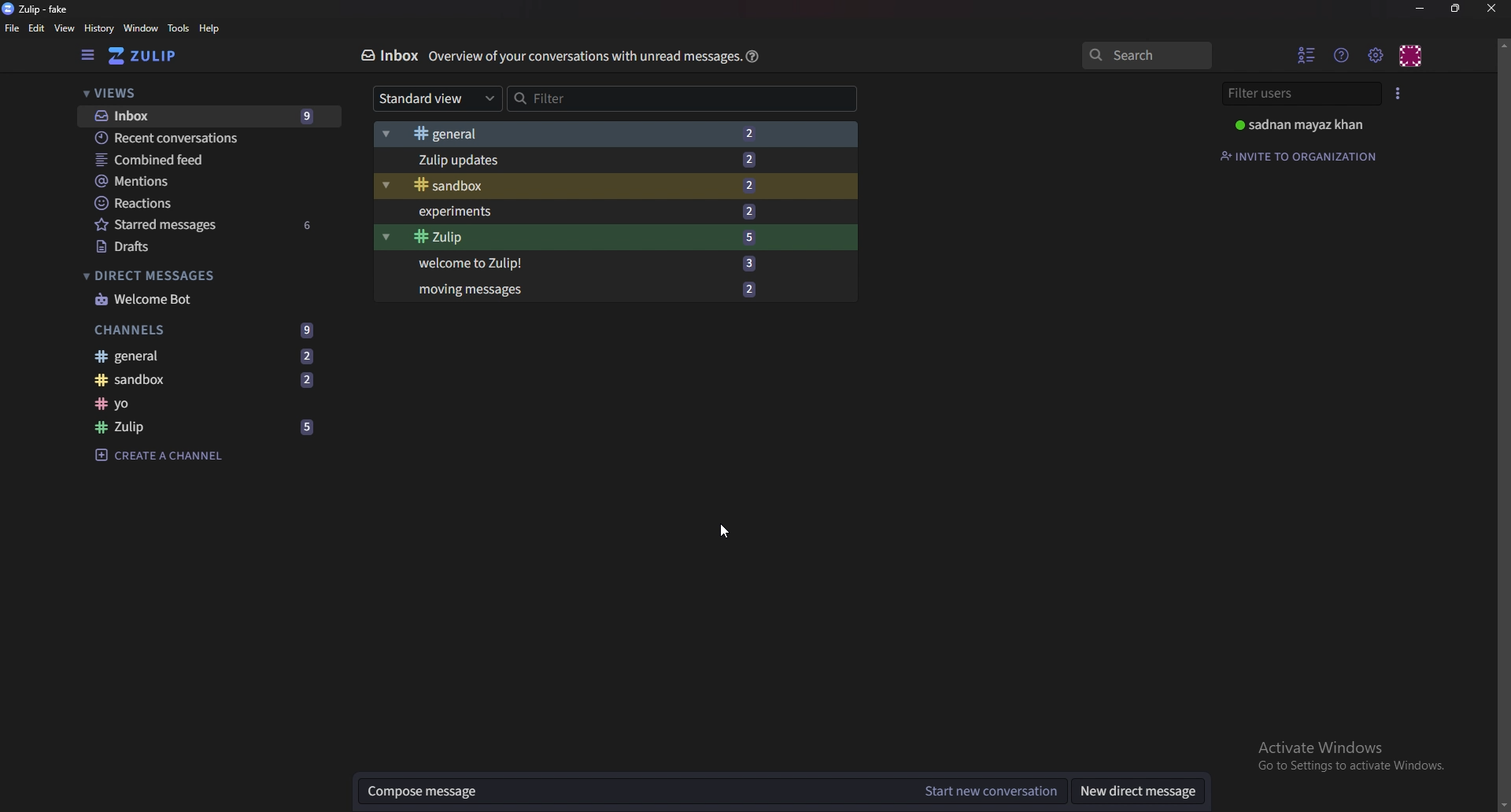  Describe the element at coordinates (755, 56) in the screenshot. I see `help` at that location.